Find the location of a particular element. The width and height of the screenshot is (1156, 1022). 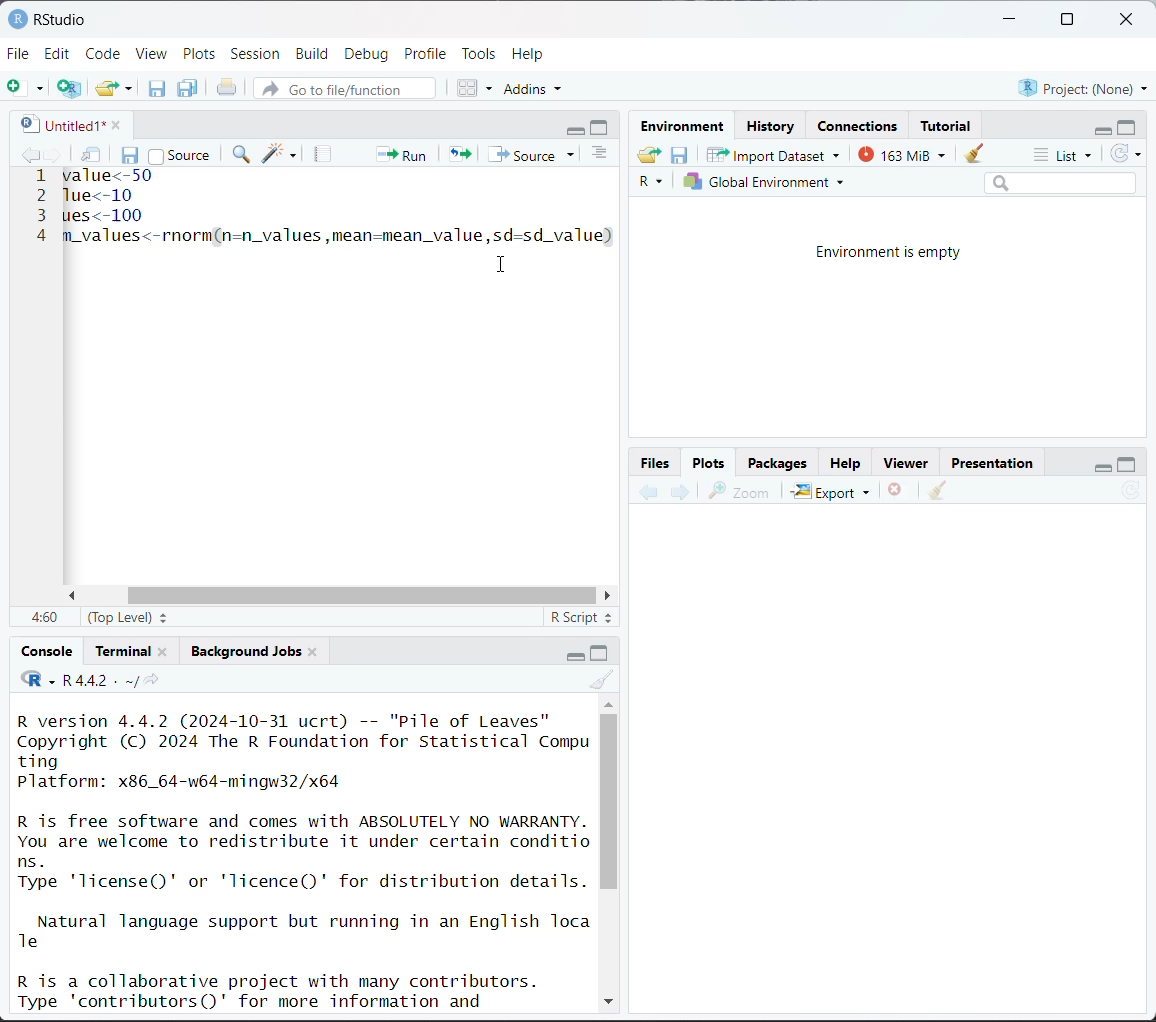

clear all plots is located at coordinates (938, 491).